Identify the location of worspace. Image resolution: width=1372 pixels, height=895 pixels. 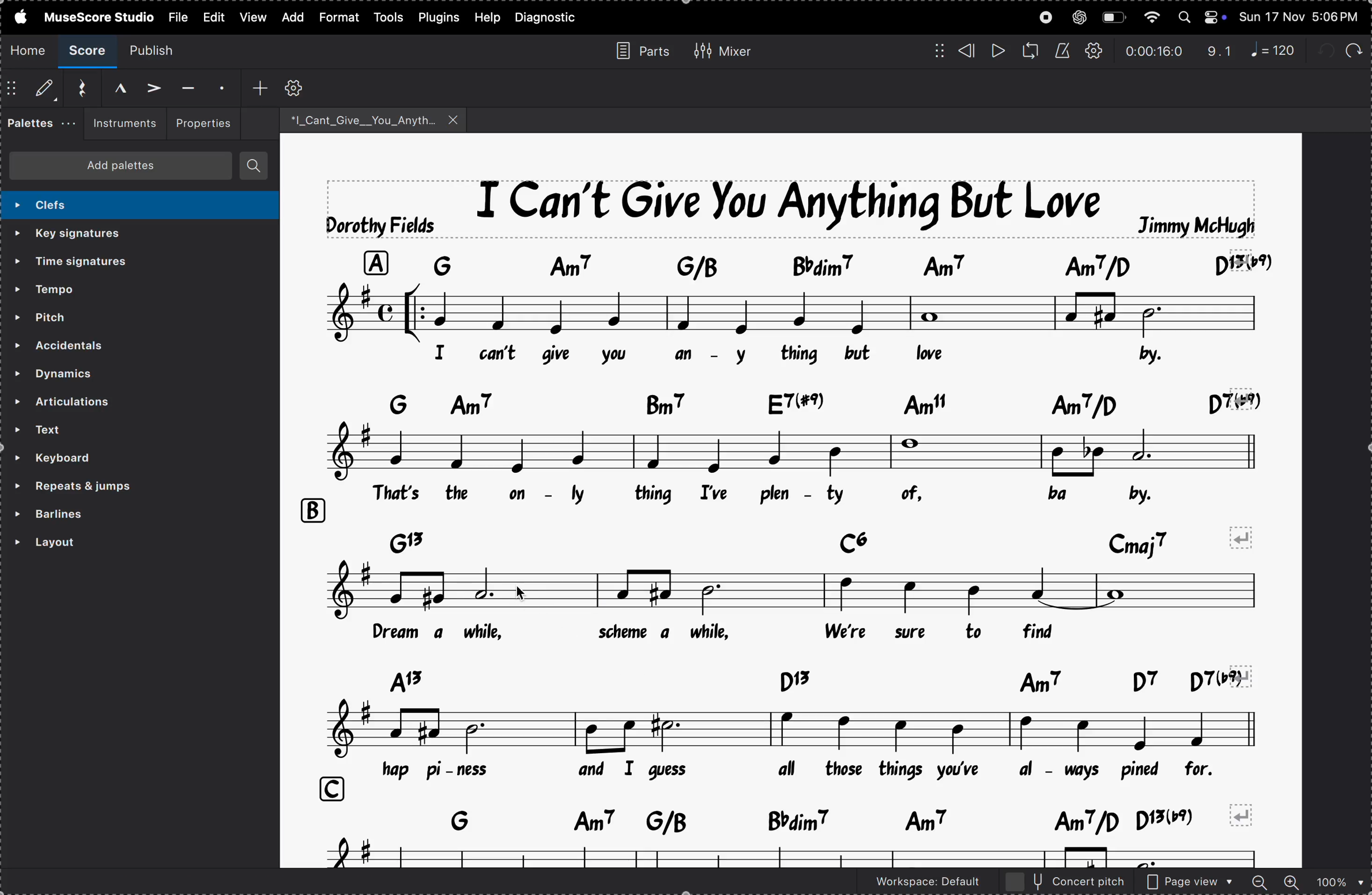
(917, 884).